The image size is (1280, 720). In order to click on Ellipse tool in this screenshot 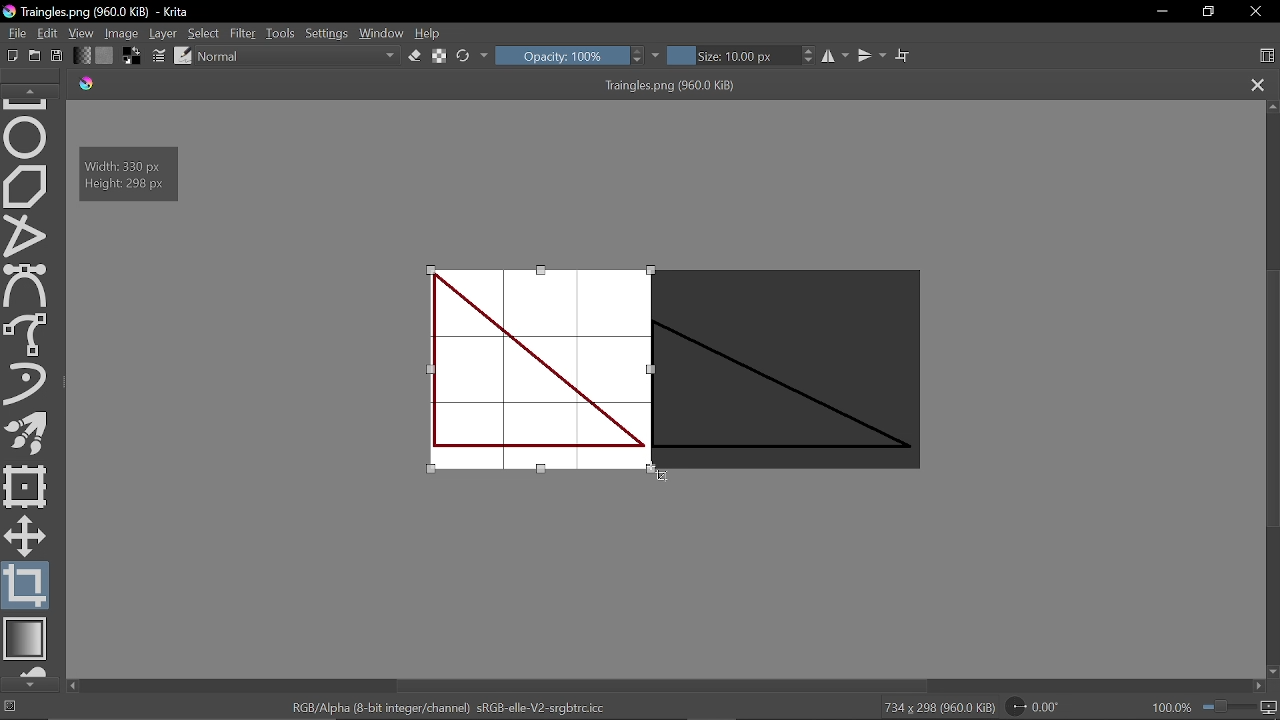, I will do `click(27, 136)`.